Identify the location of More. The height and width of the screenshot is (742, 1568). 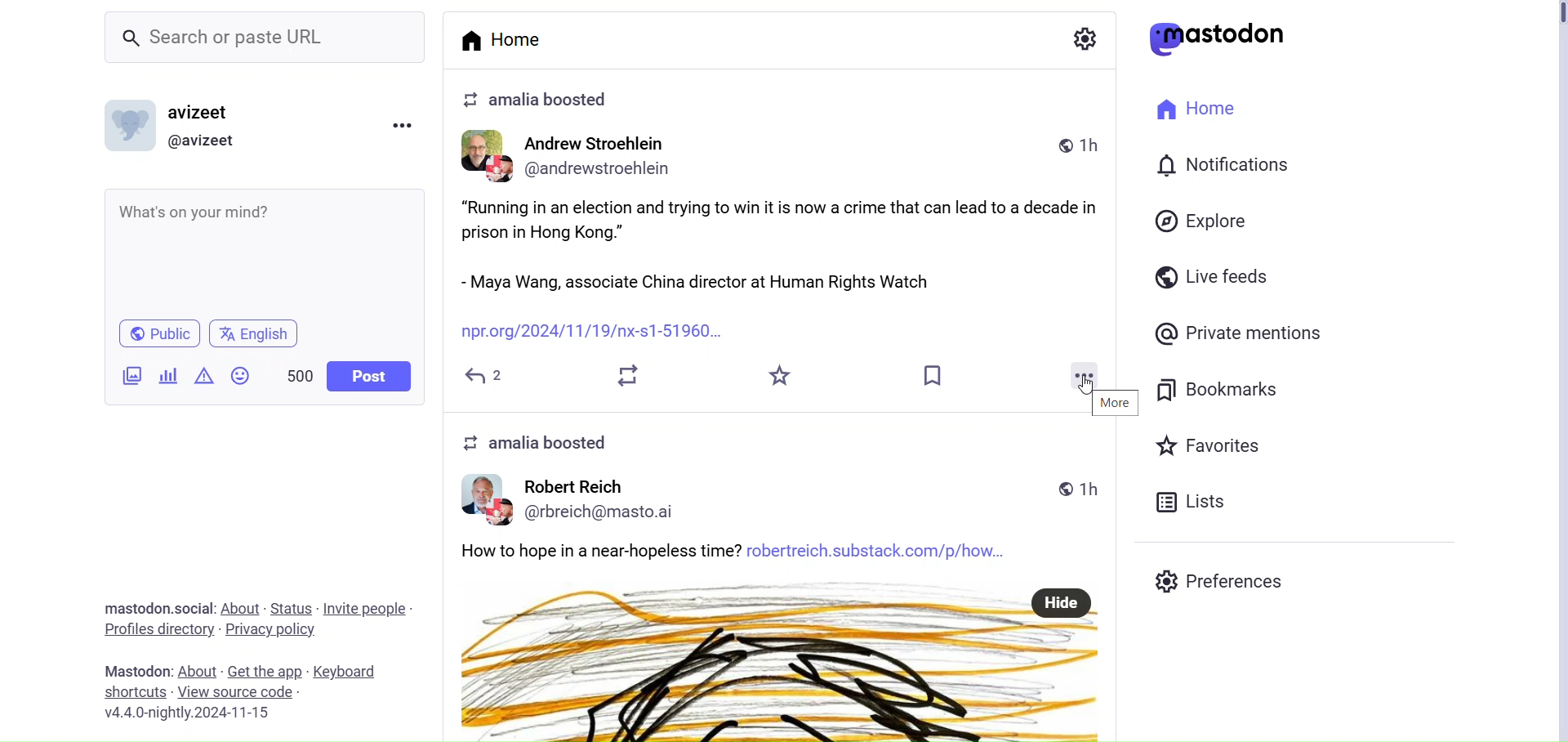
(1081, 375).